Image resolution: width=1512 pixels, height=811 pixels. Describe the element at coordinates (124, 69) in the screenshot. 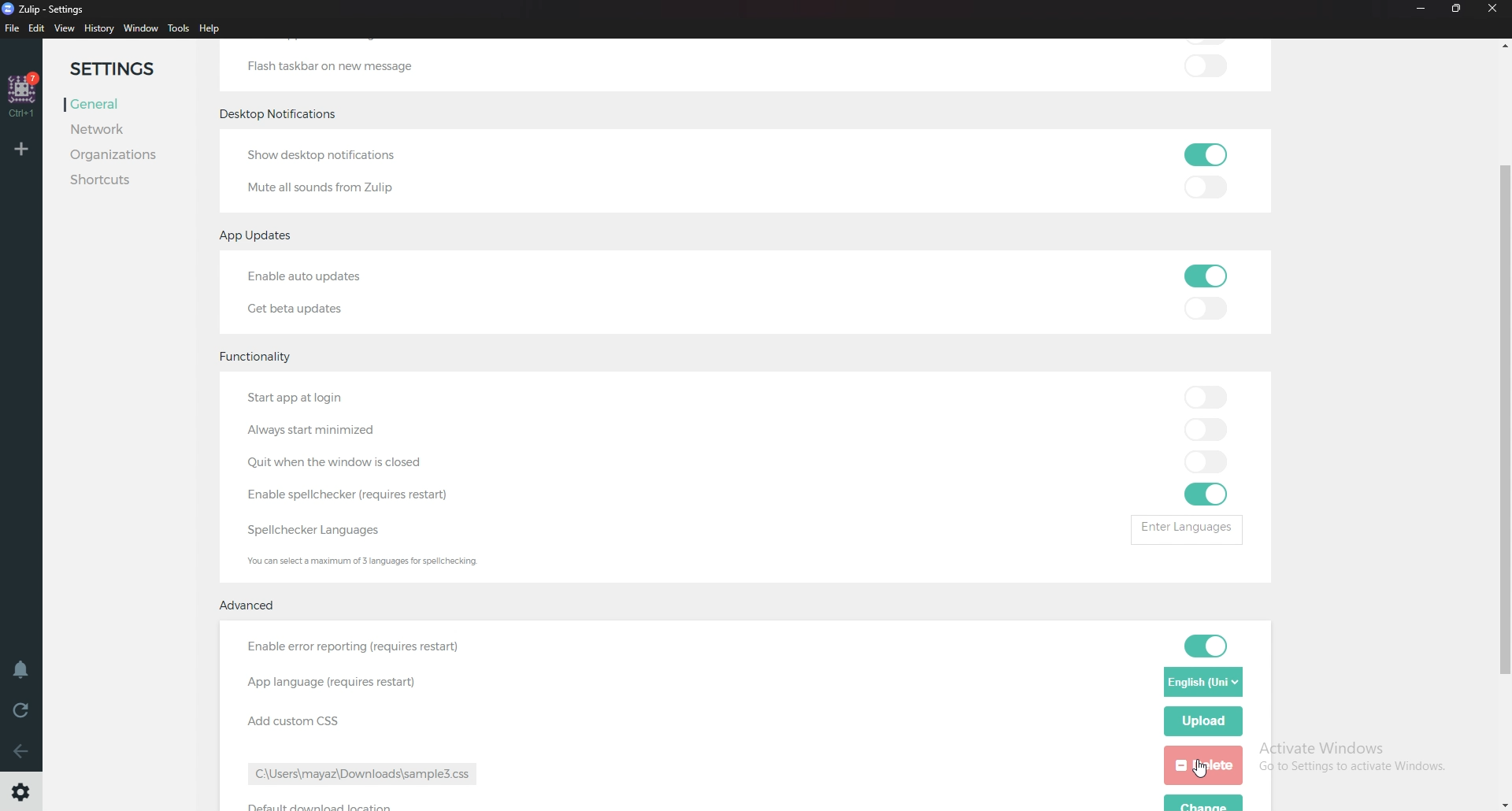

I see `Settings` at that location.